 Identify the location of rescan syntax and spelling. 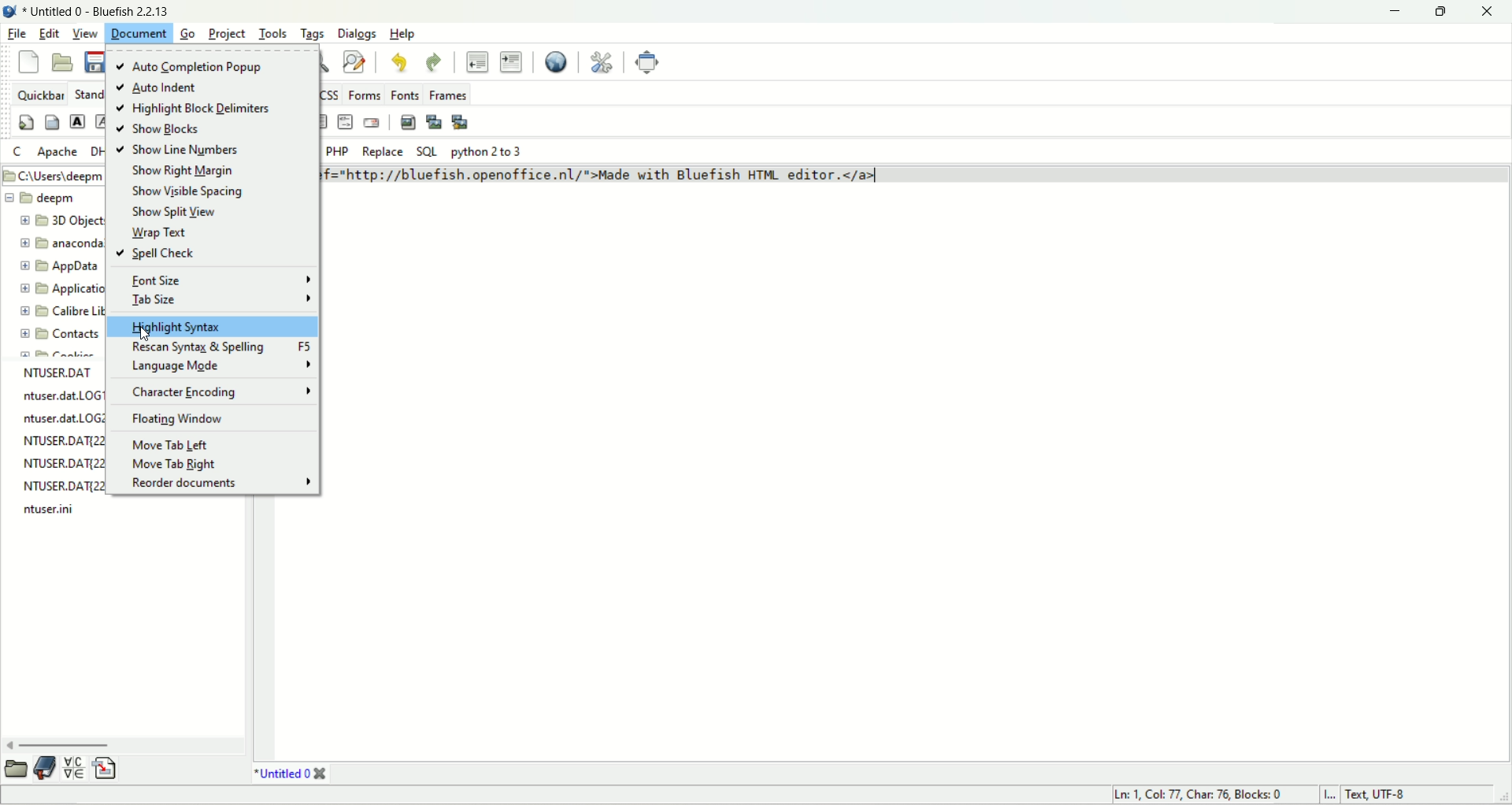
(218, 347).